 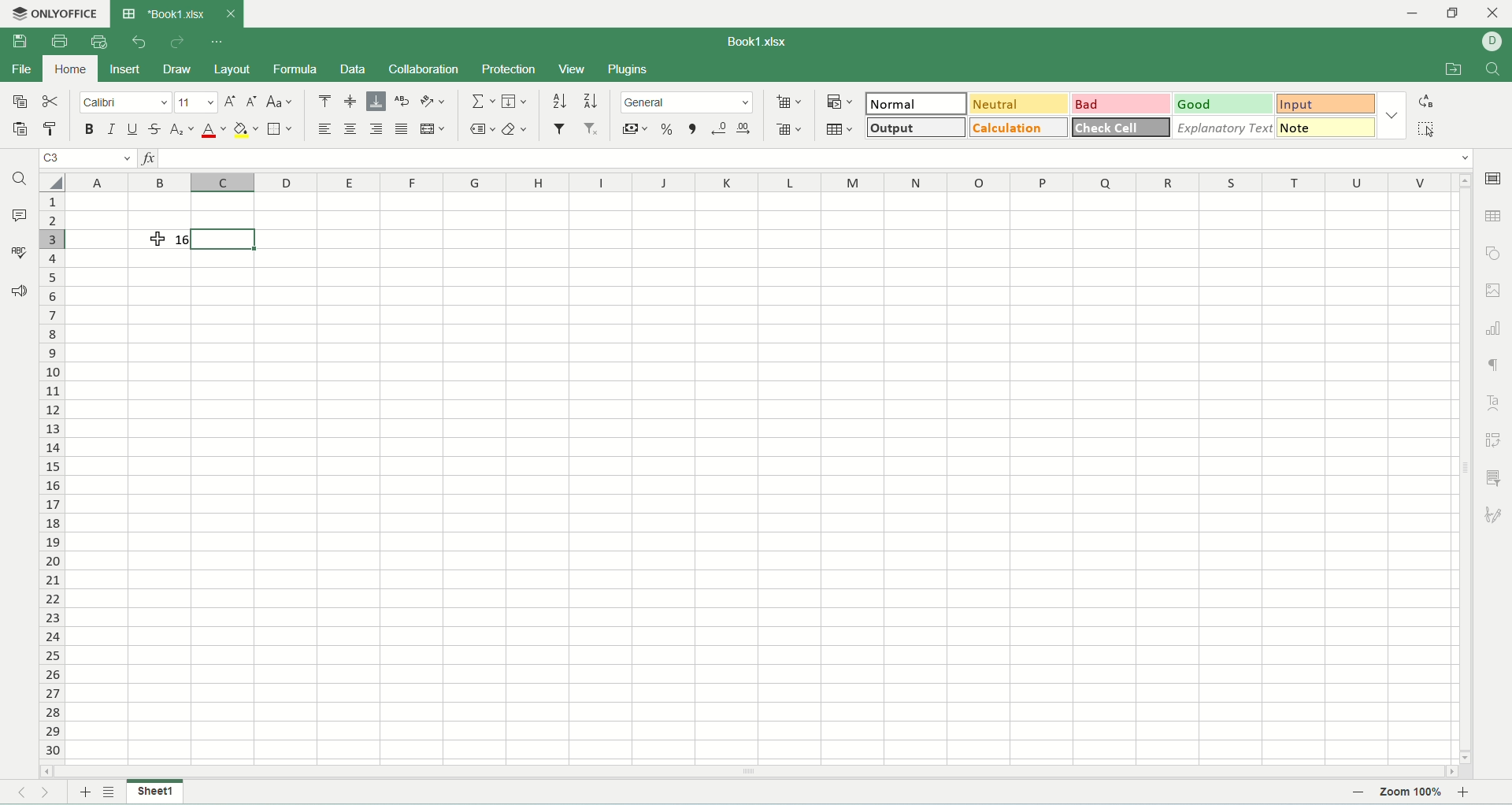 I want to click on filter, so click(x=560, y=128).